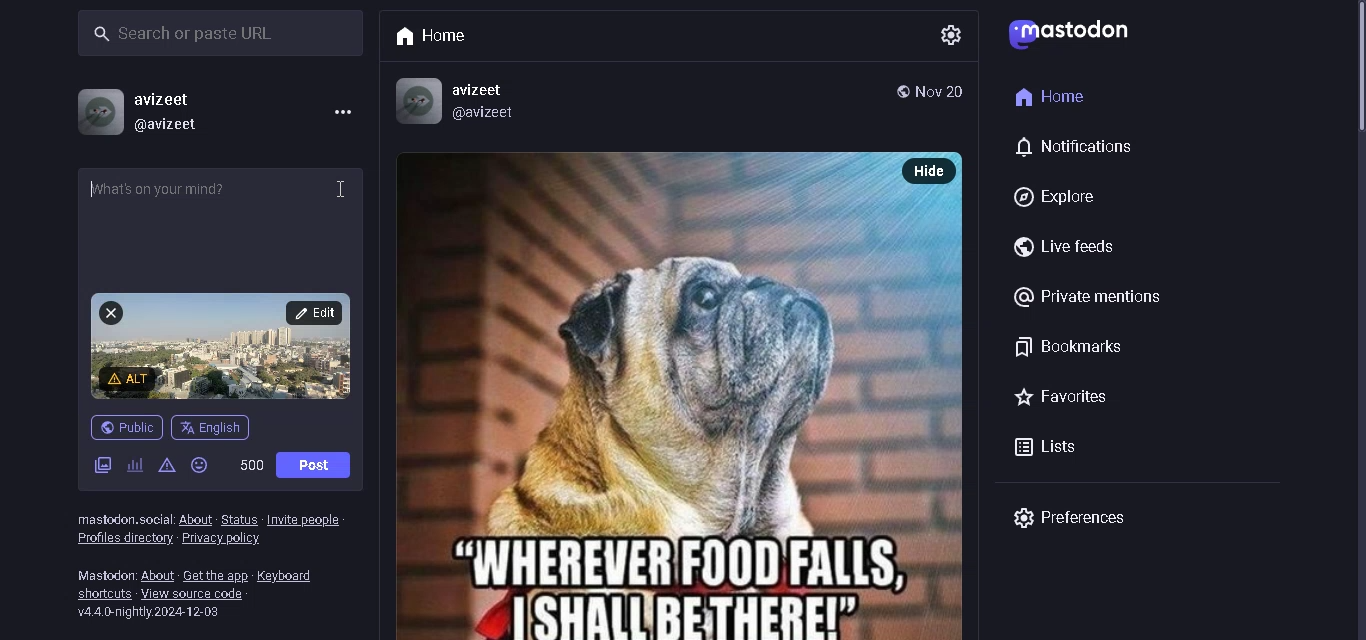 This screenshot has width=1366, height=640. I want to click on content warning, so click(167, 472).